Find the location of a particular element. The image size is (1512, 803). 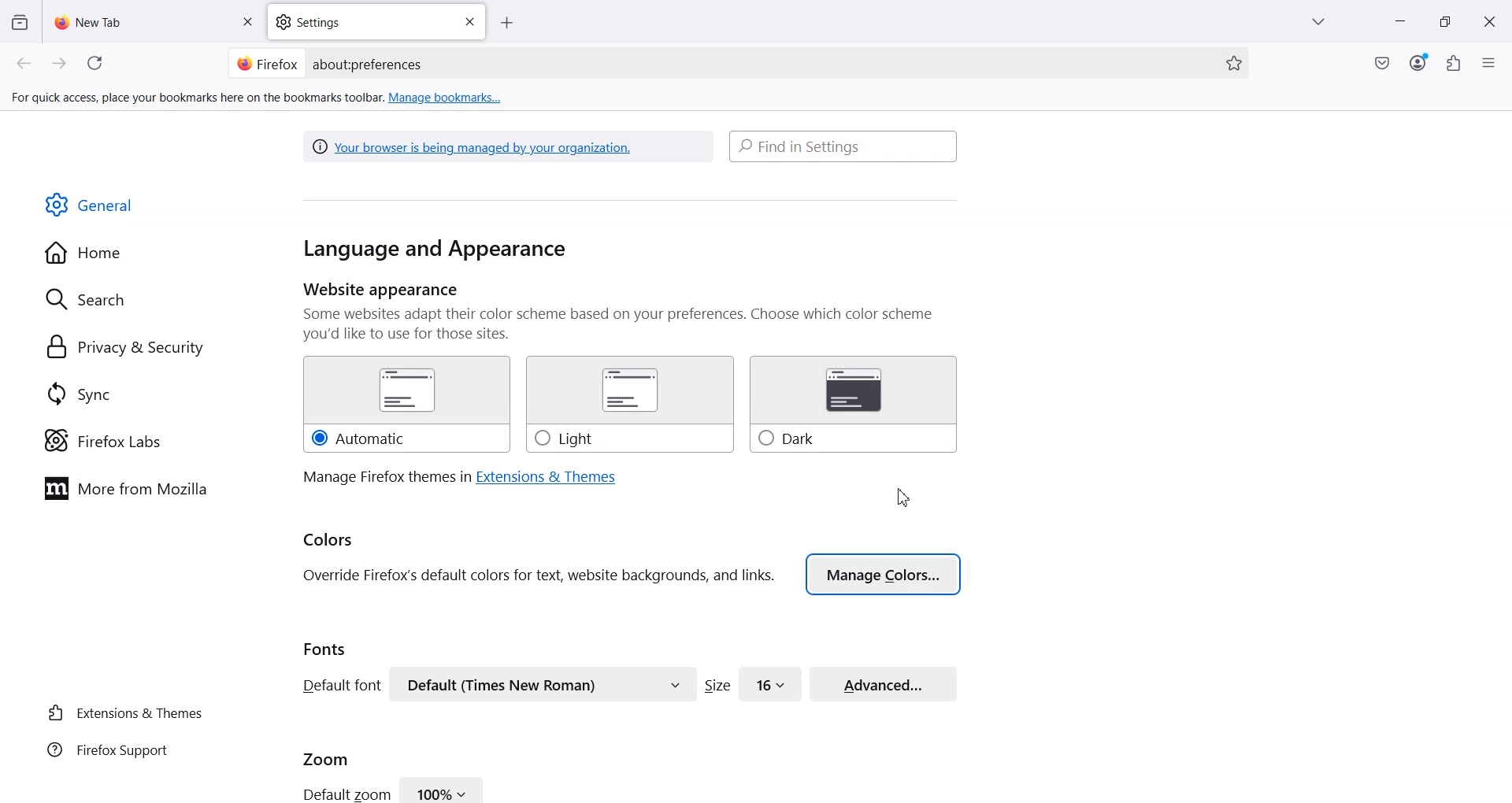

Add New Tab is located at coordinates (507, 24).